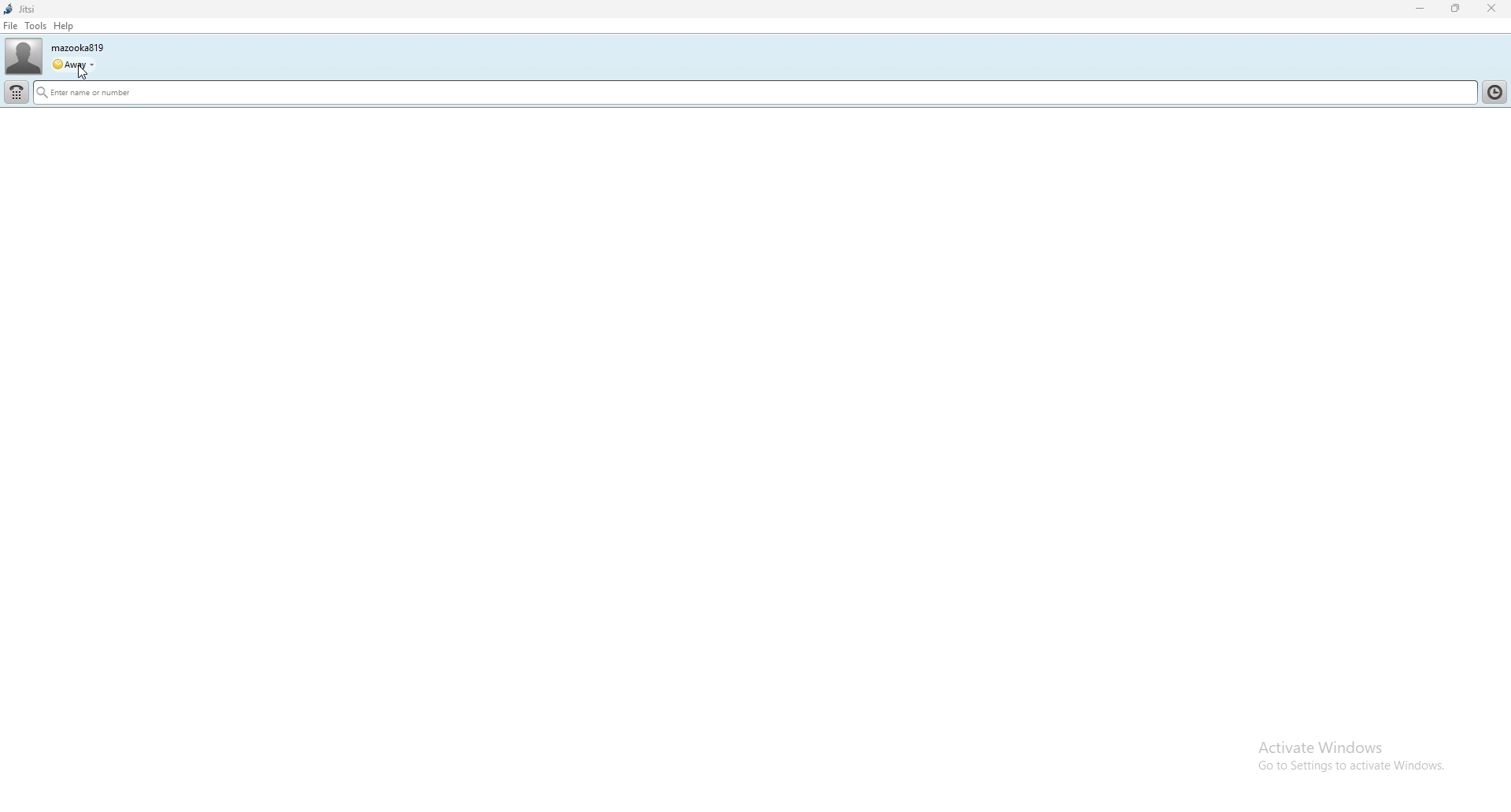 This screenshot has width=1511, height=812. What do you see at coordinates (1355, 746) in the screenshot?
I see `active windows go to settings to achieve windows` at bounding box center [1355, 746].